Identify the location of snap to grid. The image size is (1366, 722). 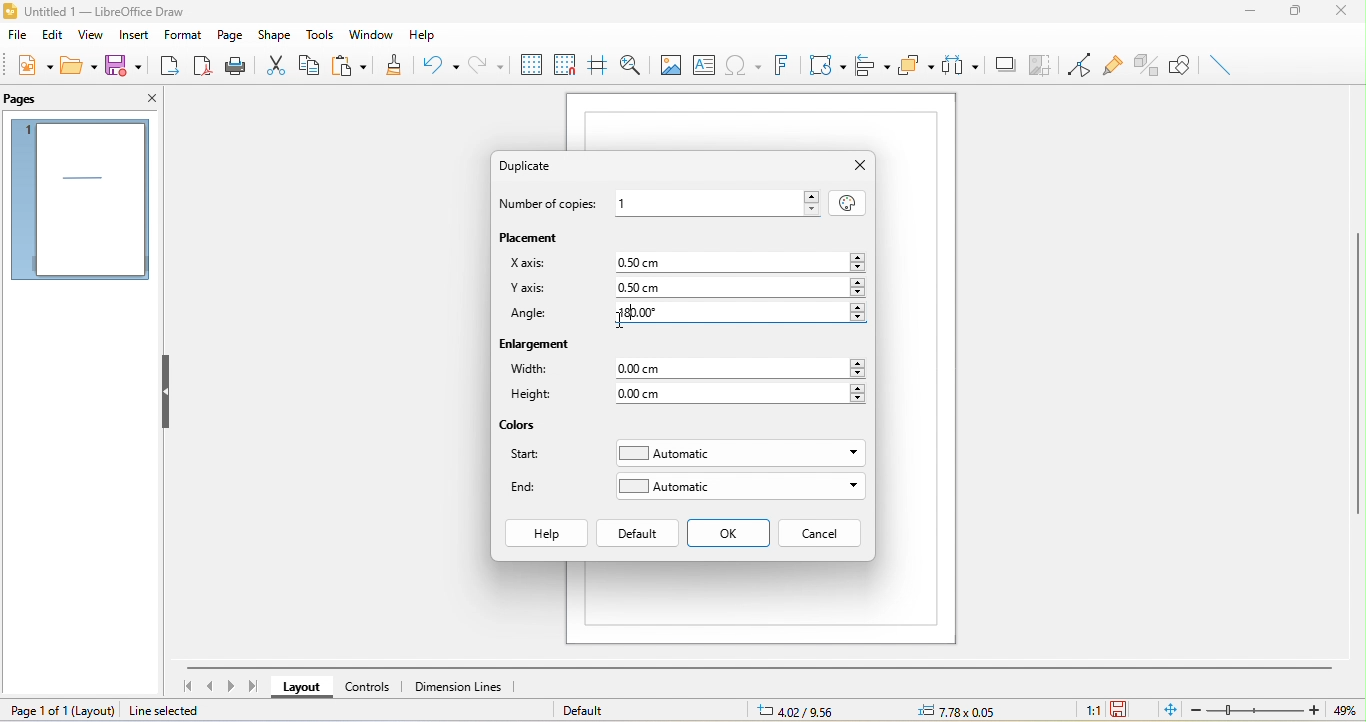
(564, 62).